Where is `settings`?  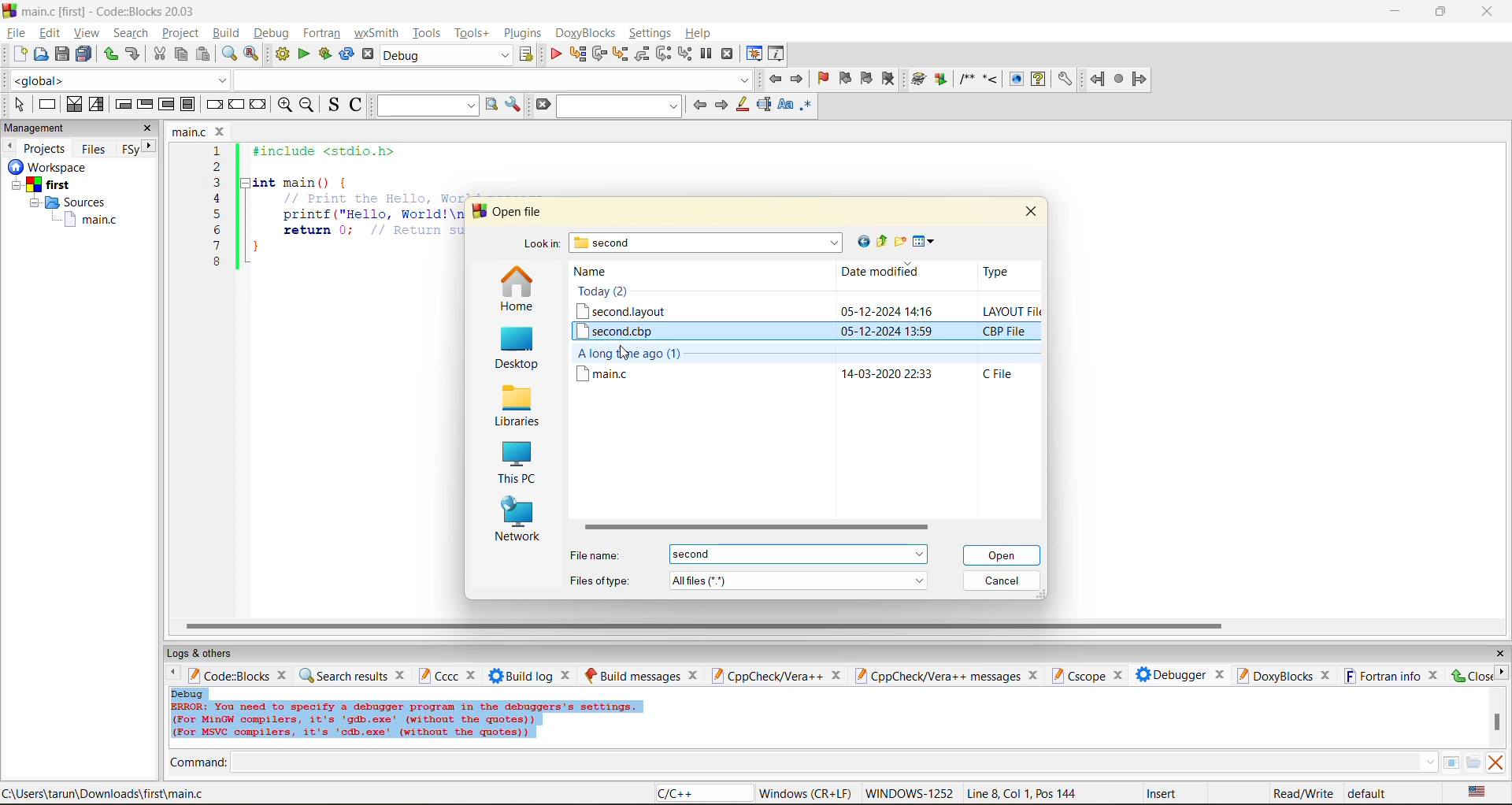
settings is located at coordinates (651, 33).